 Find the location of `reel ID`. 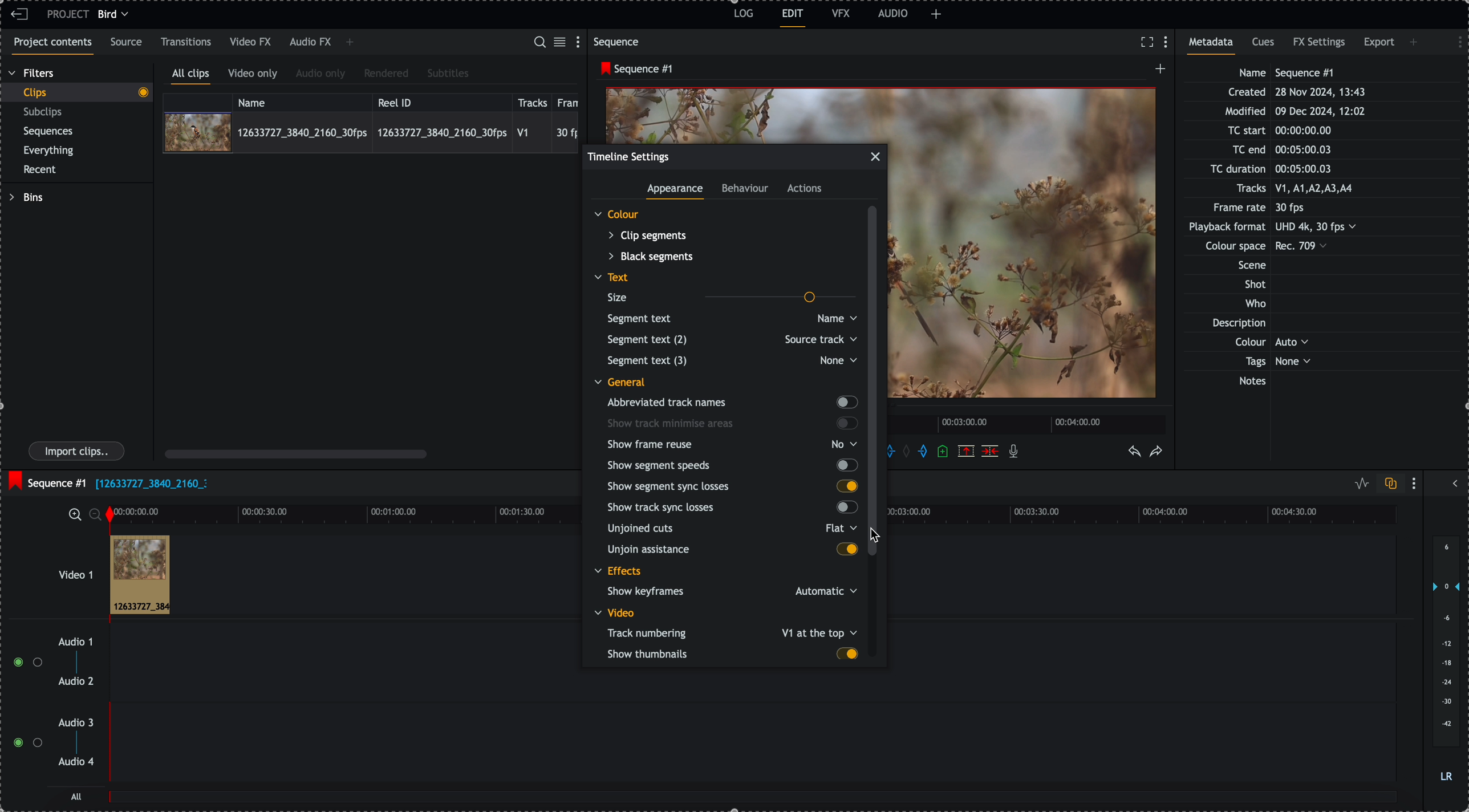

reel ID is located at coordinates (441, 100).